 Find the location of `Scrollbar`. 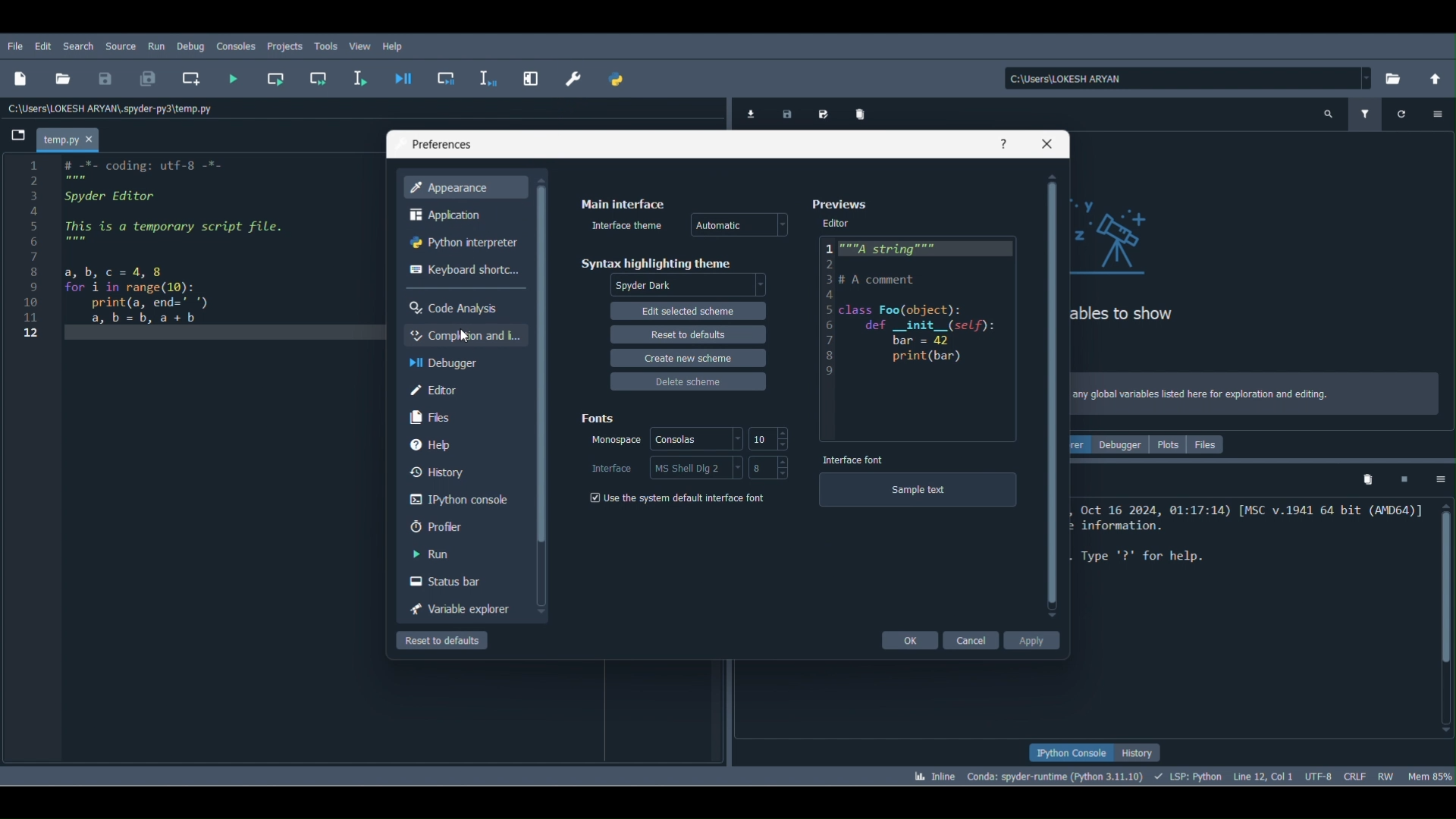

Scrollbar is located at coordinates (542, 392).